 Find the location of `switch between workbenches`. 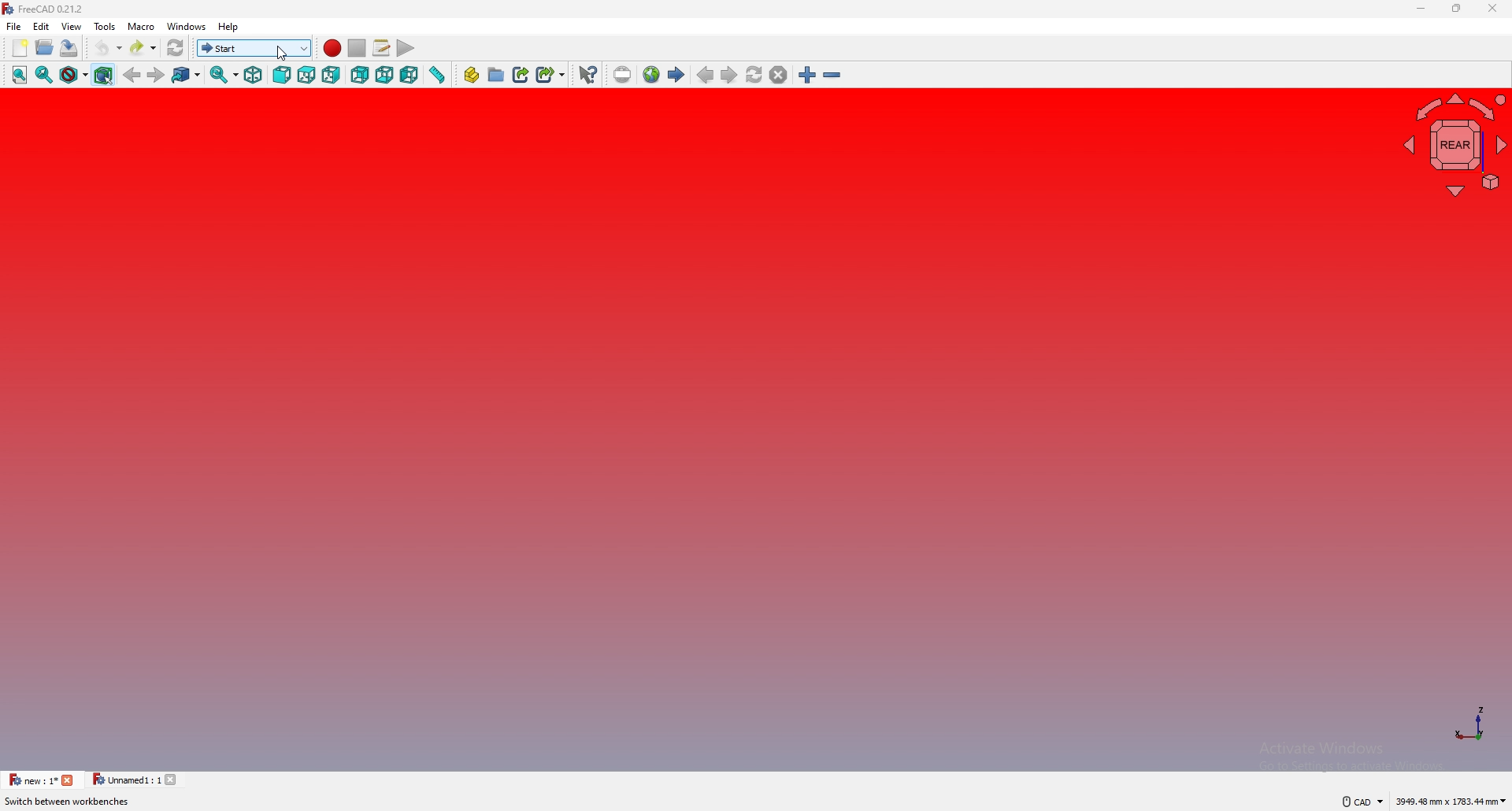

switch between workbenches is located at coordinates (254, 48).